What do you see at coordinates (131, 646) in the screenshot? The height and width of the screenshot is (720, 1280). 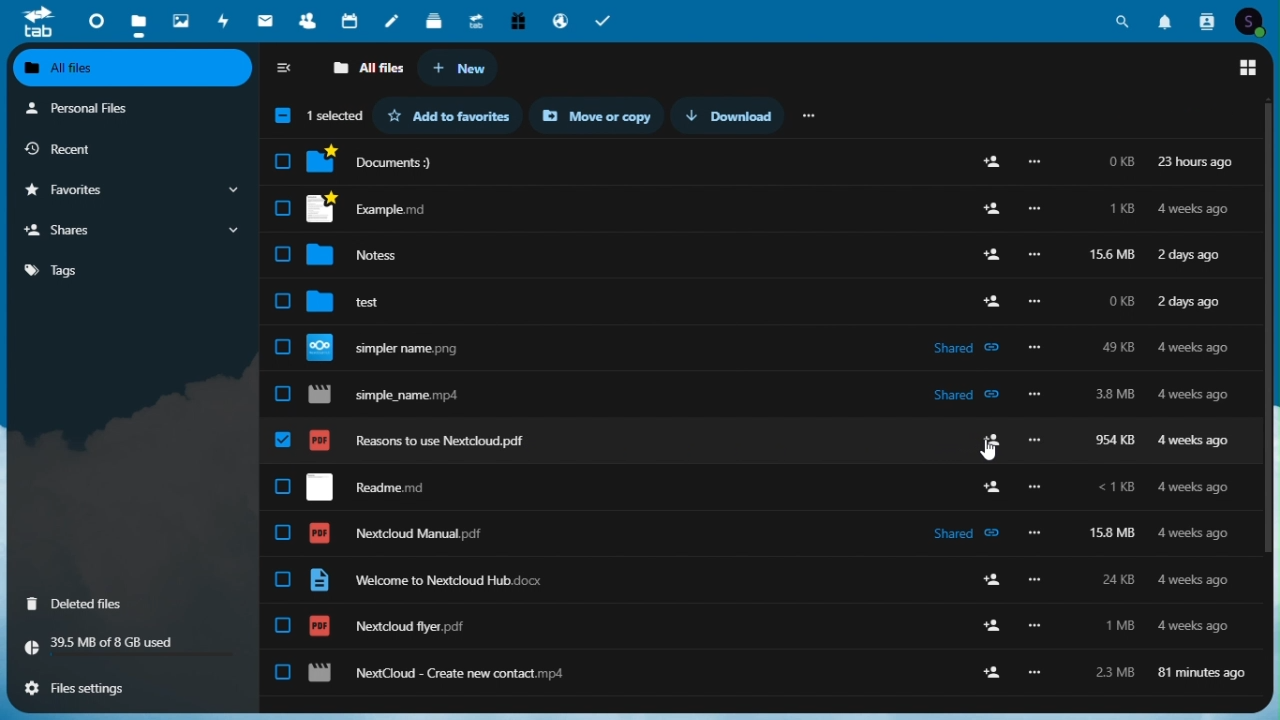 I see `storage` at bounding box center [131, 646].